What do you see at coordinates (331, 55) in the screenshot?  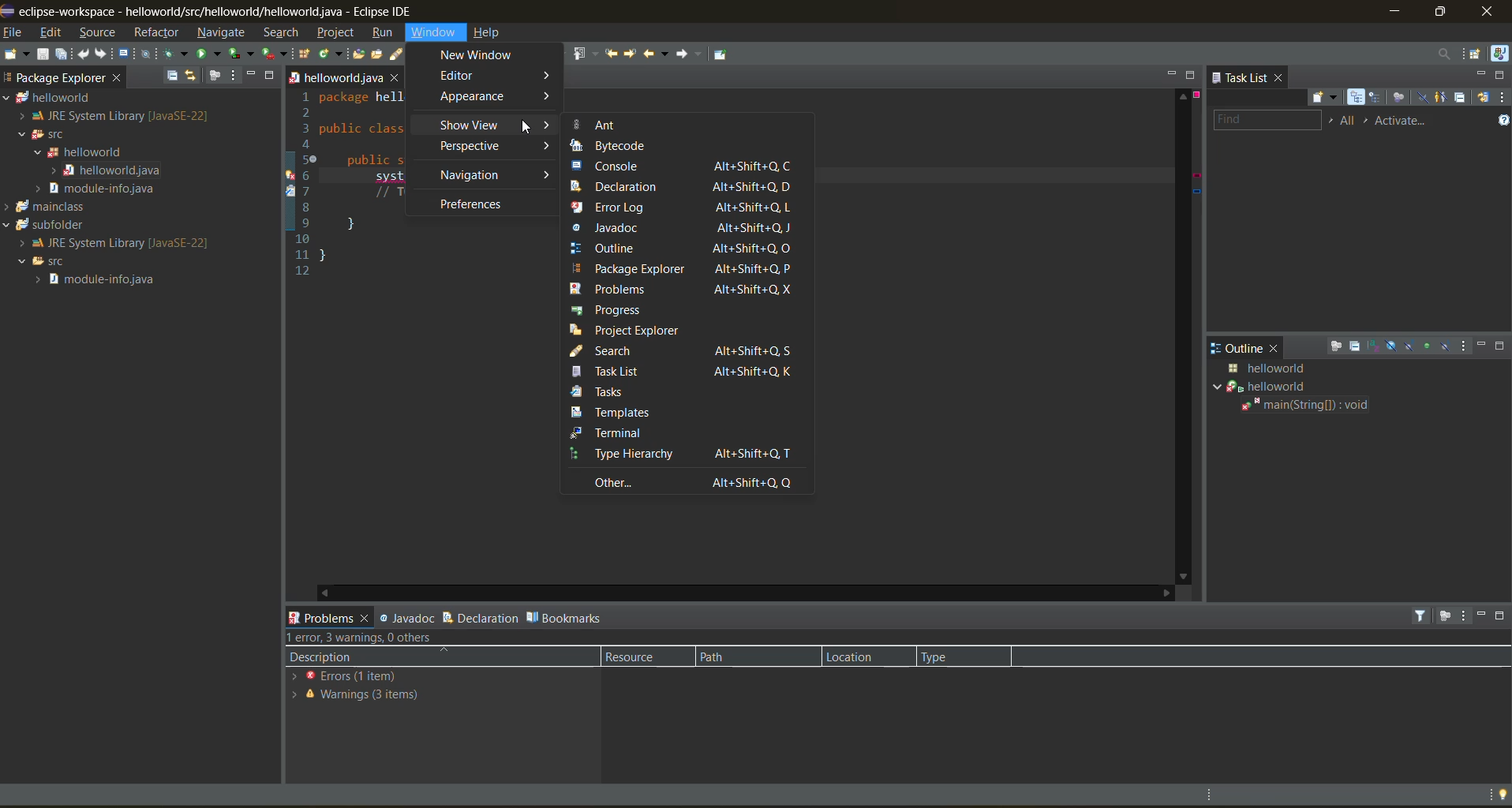 I see `new java class` at bounding box center [331, 55].